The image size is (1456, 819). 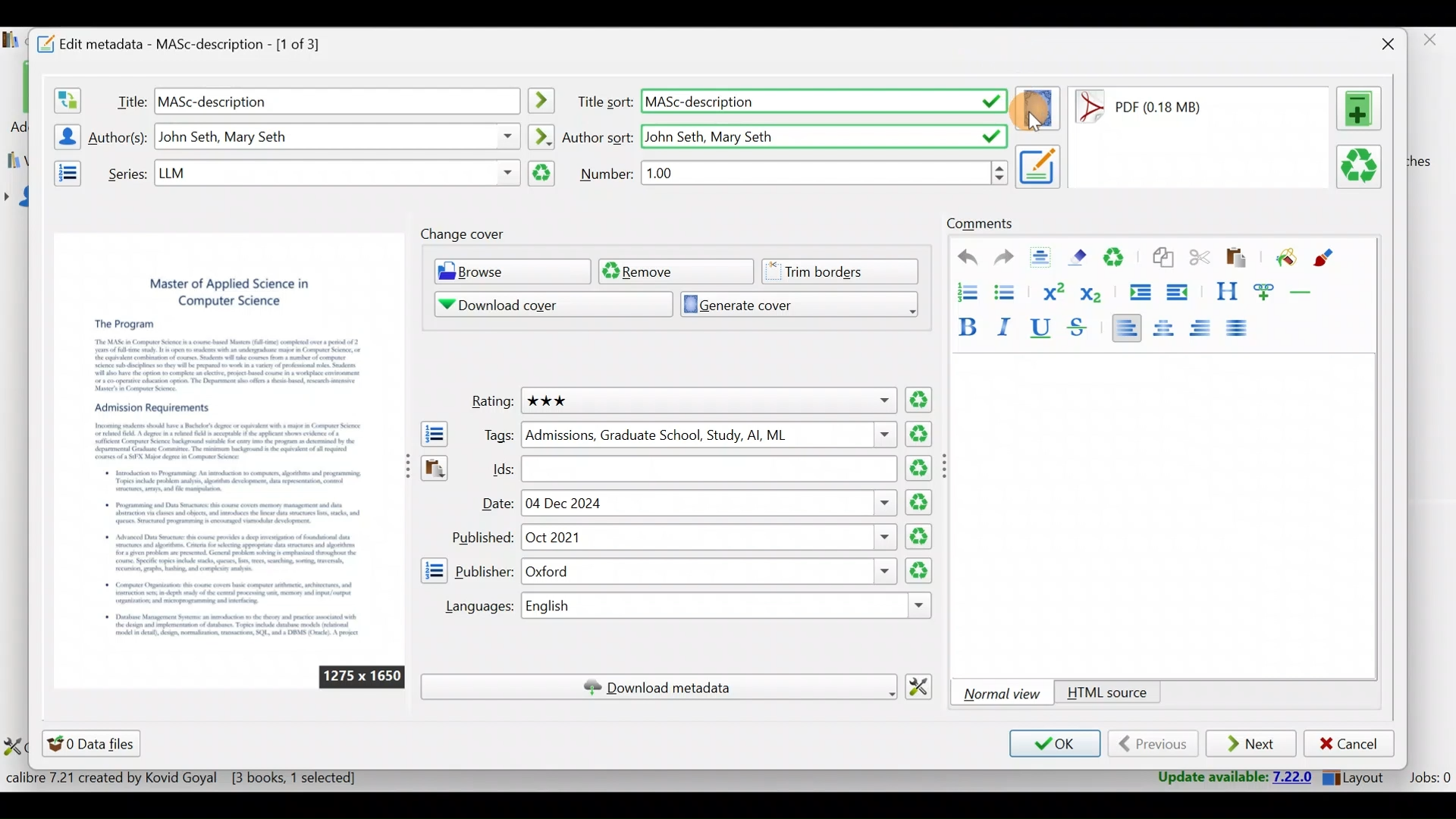 I want to click on Undo, so click(x=961, y=258).